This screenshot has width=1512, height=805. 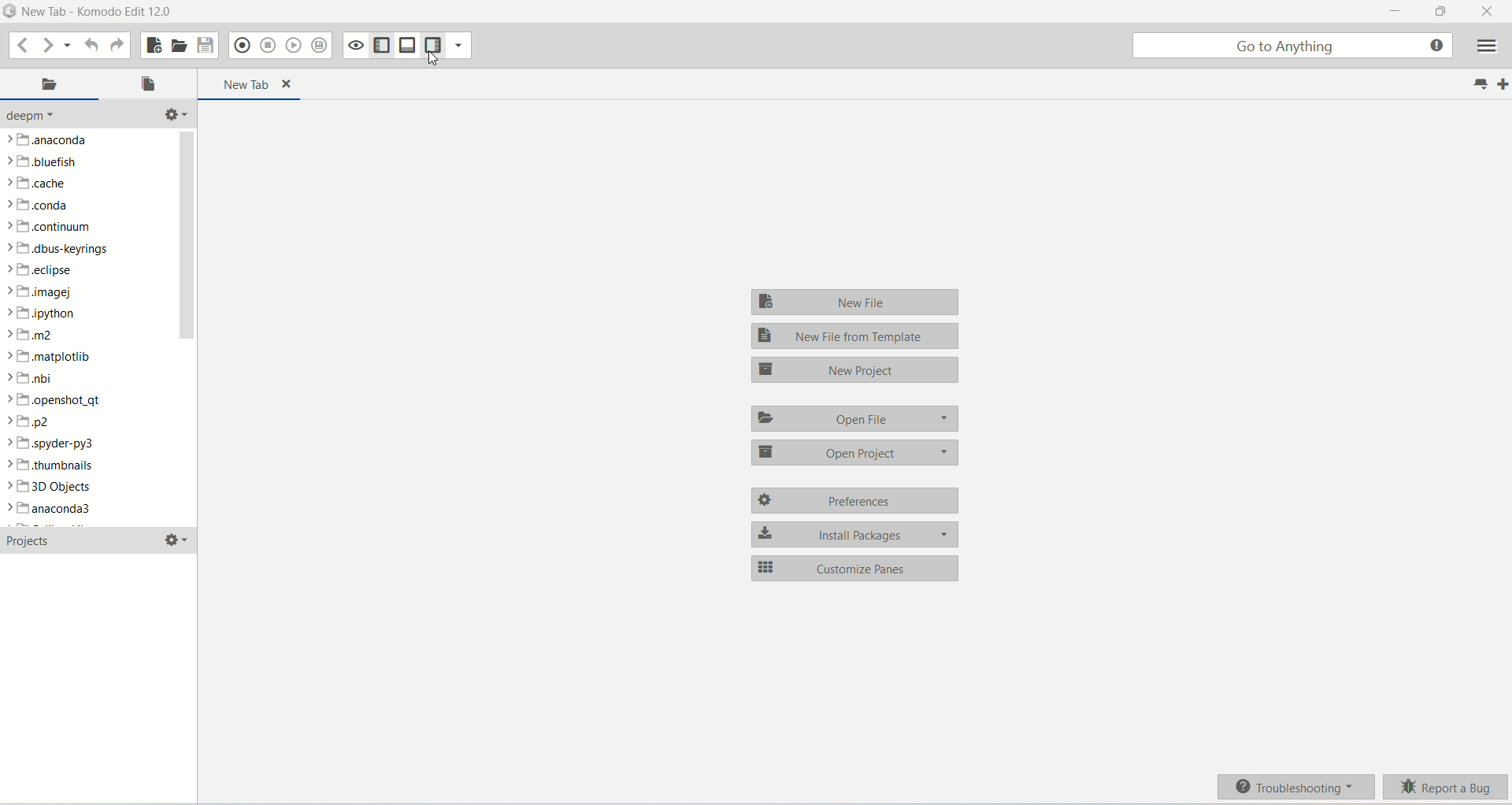 What do you see at coordinates (853, 567) in the screenshot?
I see `customize pane` at bounding box center [853, 567].